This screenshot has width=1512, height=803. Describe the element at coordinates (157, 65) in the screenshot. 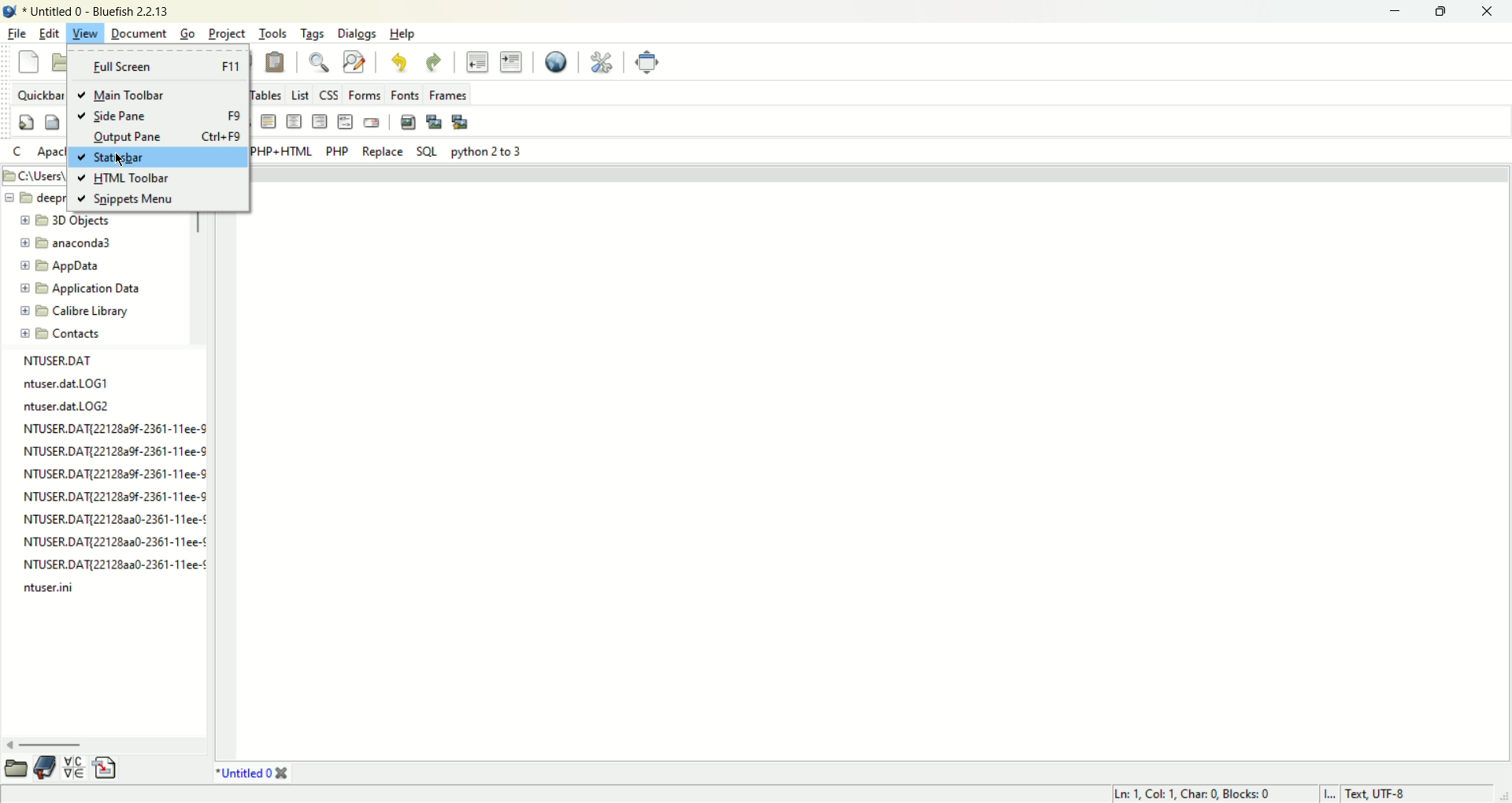

I see `full screen` at that location.